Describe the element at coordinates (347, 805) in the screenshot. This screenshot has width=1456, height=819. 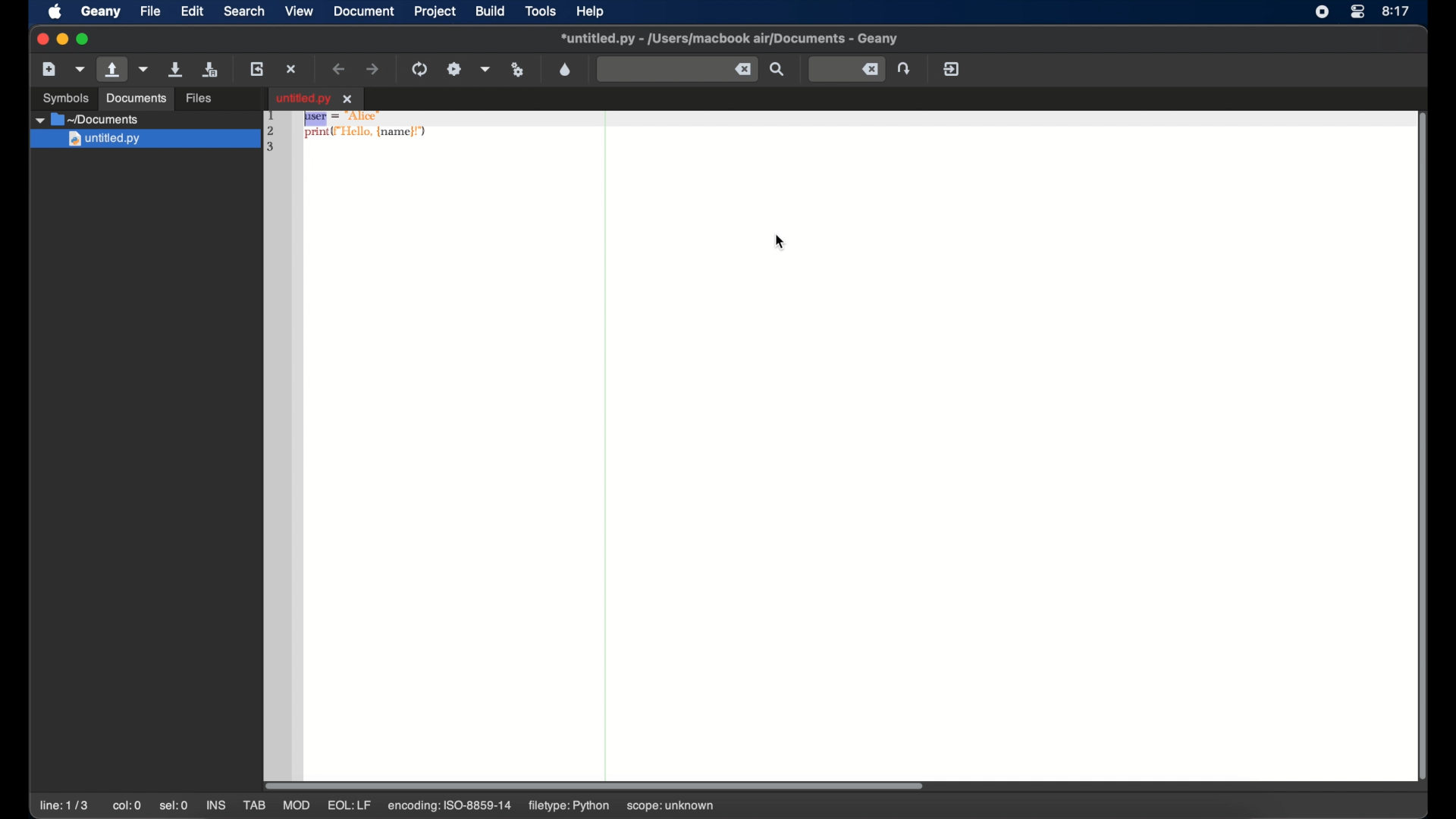
I see `eql: lf` at that location.